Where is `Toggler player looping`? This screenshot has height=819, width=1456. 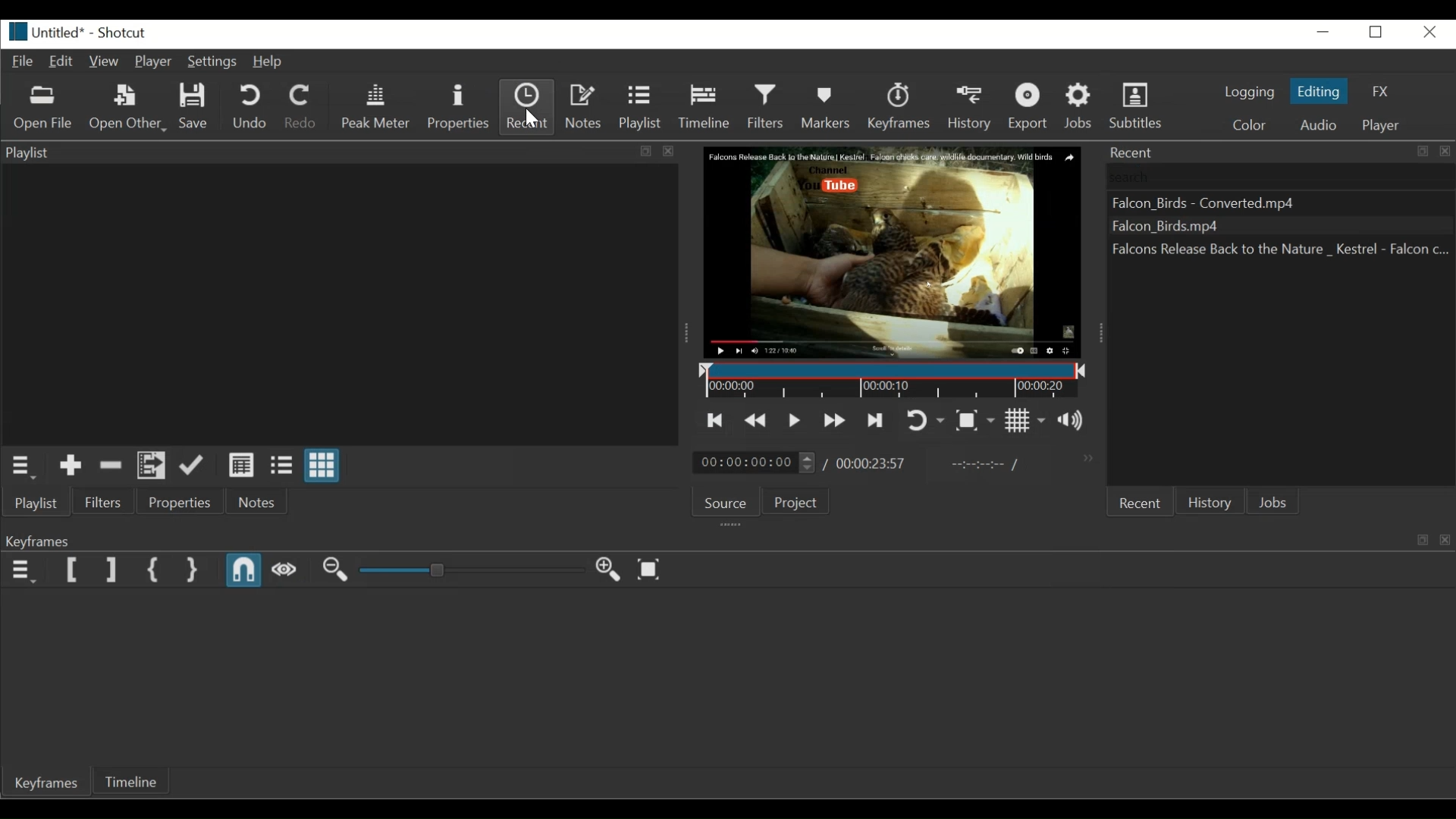 Toggler player looping is located at coordinates (926, 420).